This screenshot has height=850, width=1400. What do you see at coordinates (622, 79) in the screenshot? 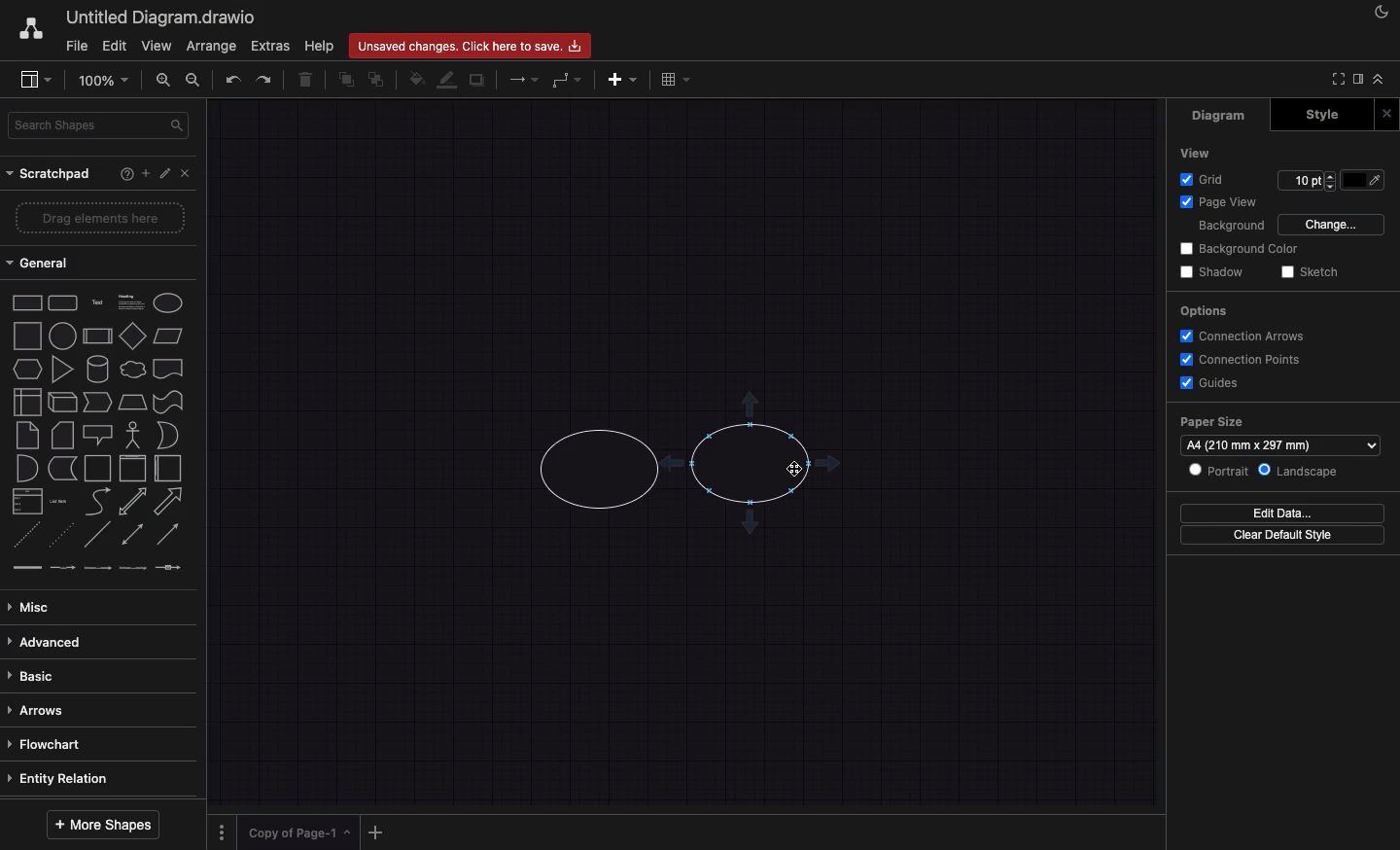
I see `insert` at bounding box center [622, 79].